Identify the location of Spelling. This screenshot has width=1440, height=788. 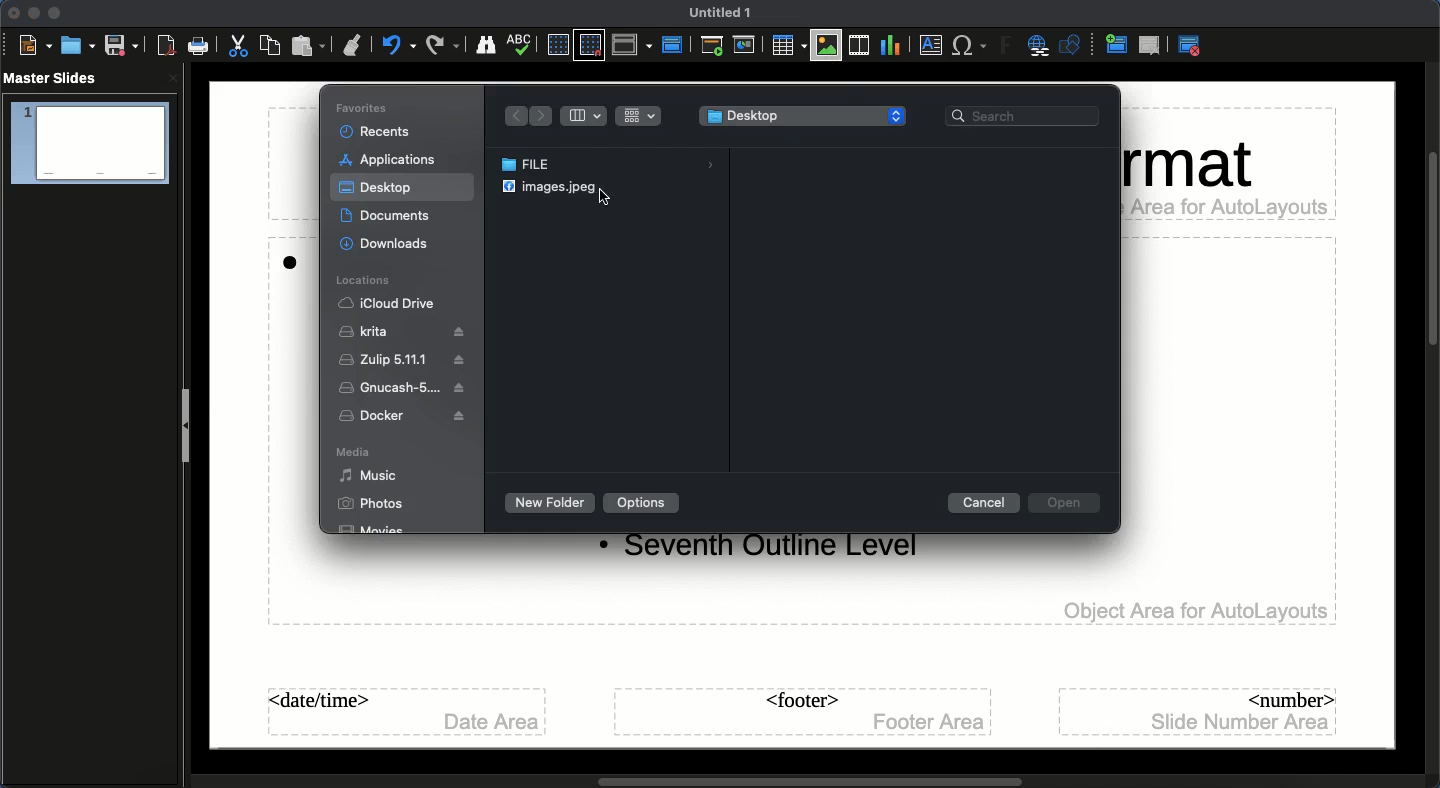
(522, 43).